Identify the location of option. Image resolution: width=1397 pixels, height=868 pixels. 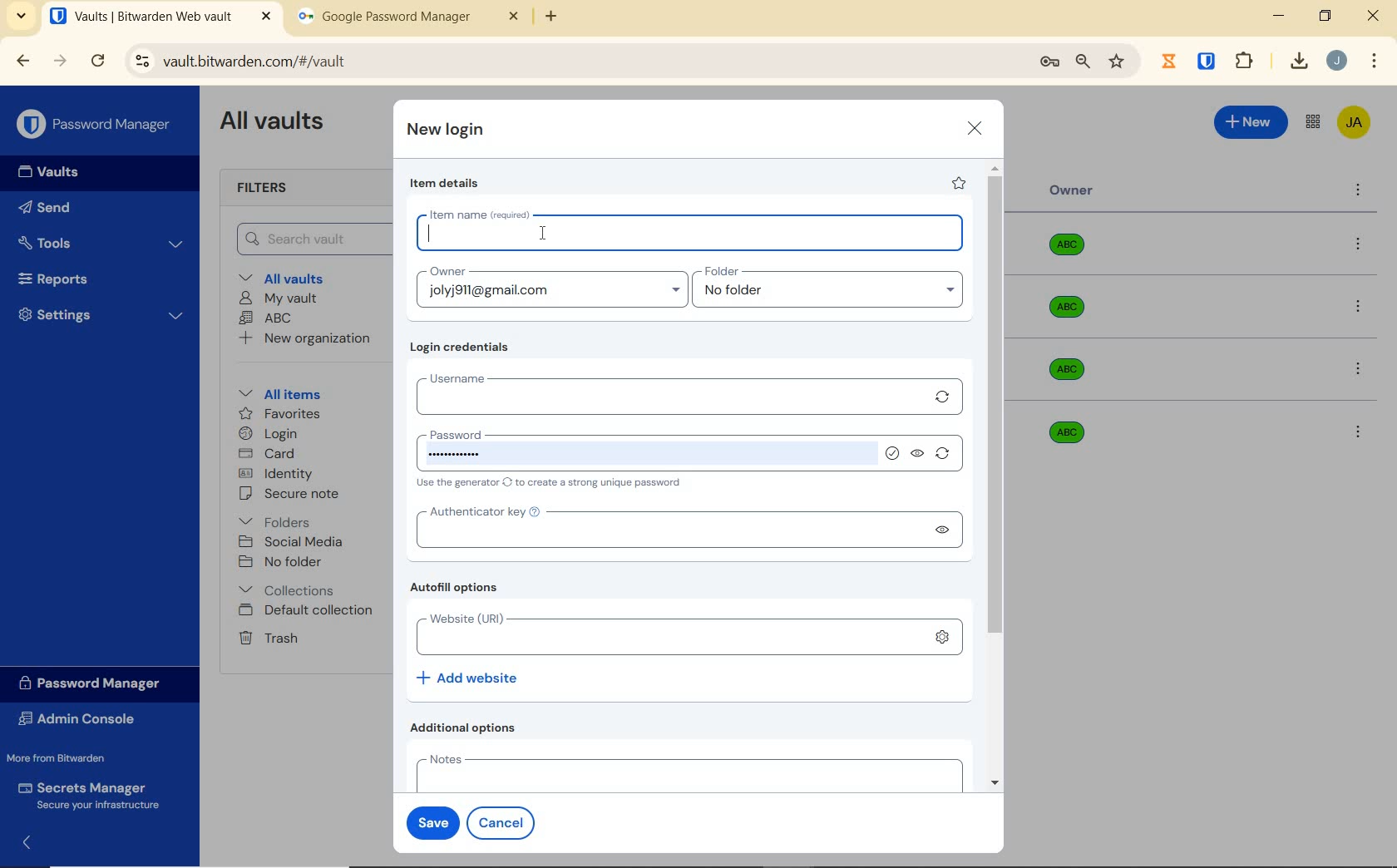
(1357, 431).